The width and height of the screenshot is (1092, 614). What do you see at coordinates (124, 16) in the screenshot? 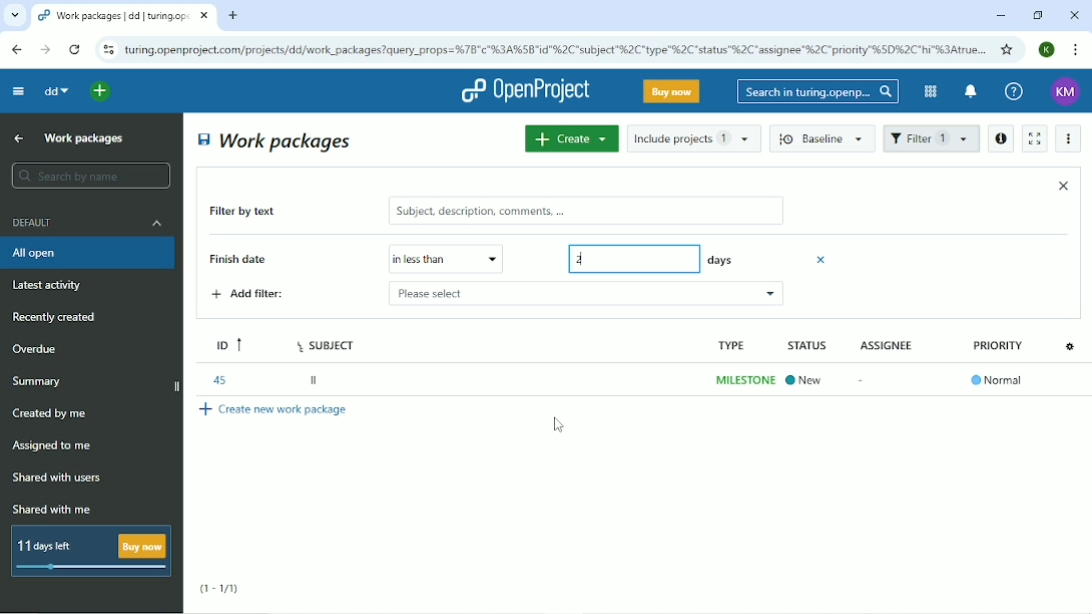
I see `Current tab` at bounding box center [124, 16].